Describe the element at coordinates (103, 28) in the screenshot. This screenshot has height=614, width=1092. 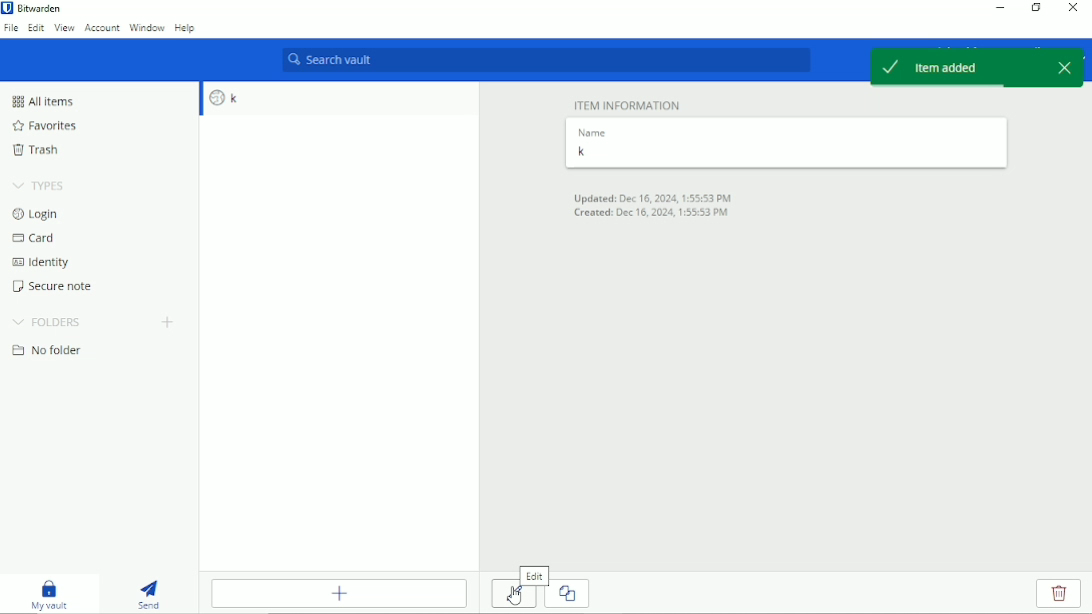
I see `Account` at that location.